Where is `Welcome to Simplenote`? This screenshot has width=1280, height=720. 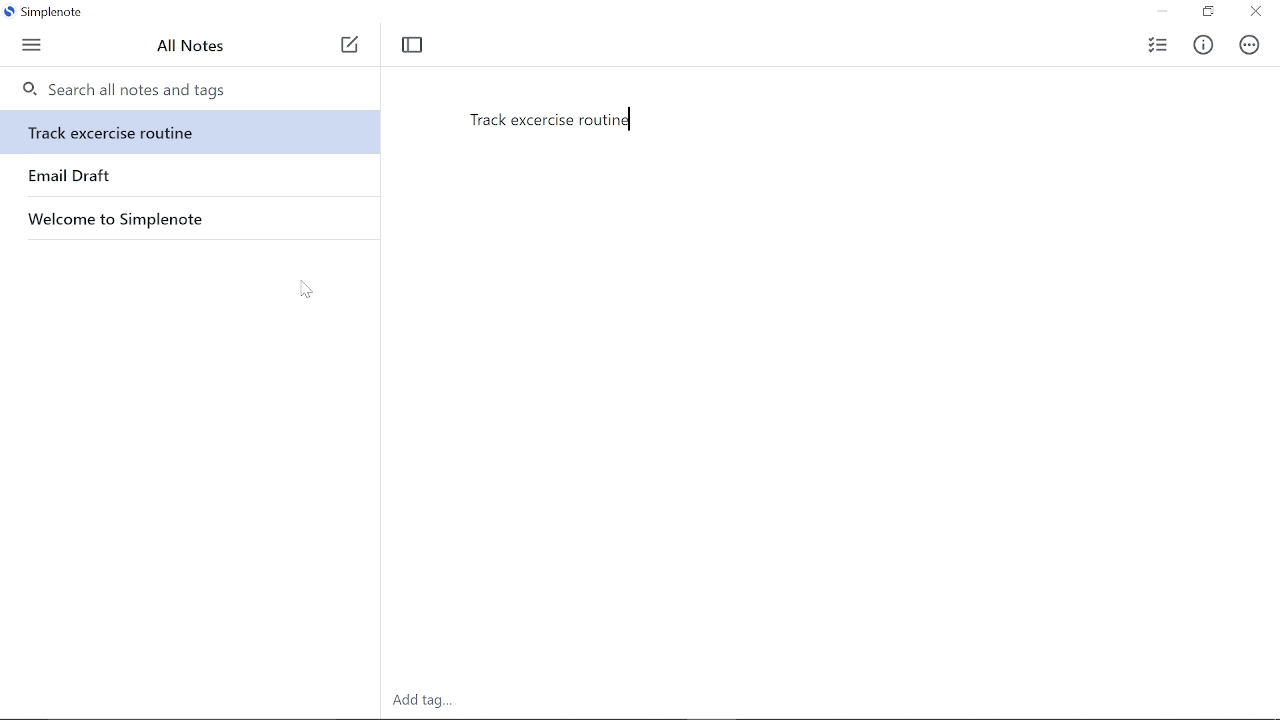 Welcome to Simplenote is located at coordinates (145, 219).